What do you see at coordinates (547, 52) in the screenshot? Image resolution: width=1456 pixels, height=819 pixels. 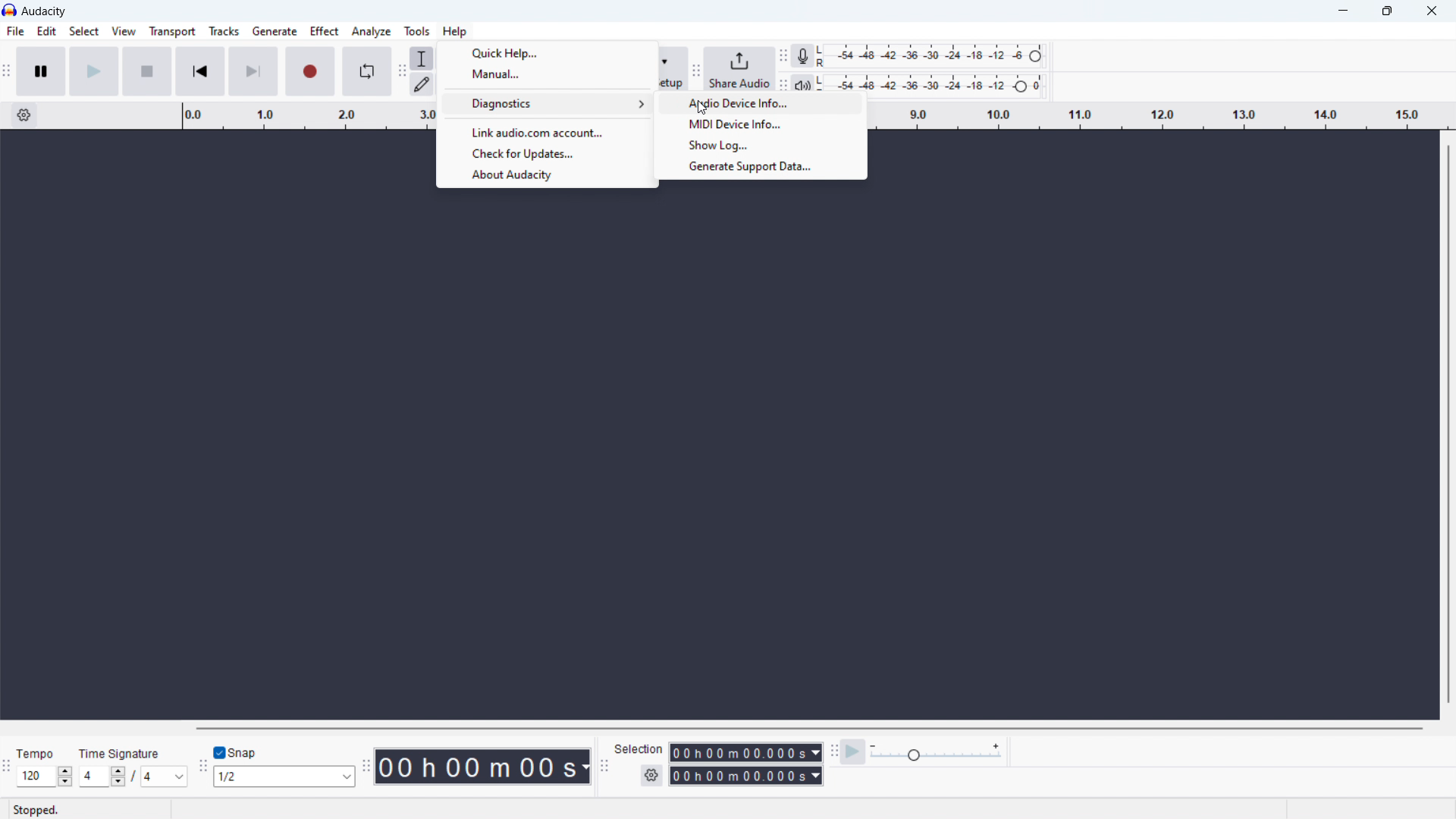 I see `quick help` at bounding box center [547, 52].